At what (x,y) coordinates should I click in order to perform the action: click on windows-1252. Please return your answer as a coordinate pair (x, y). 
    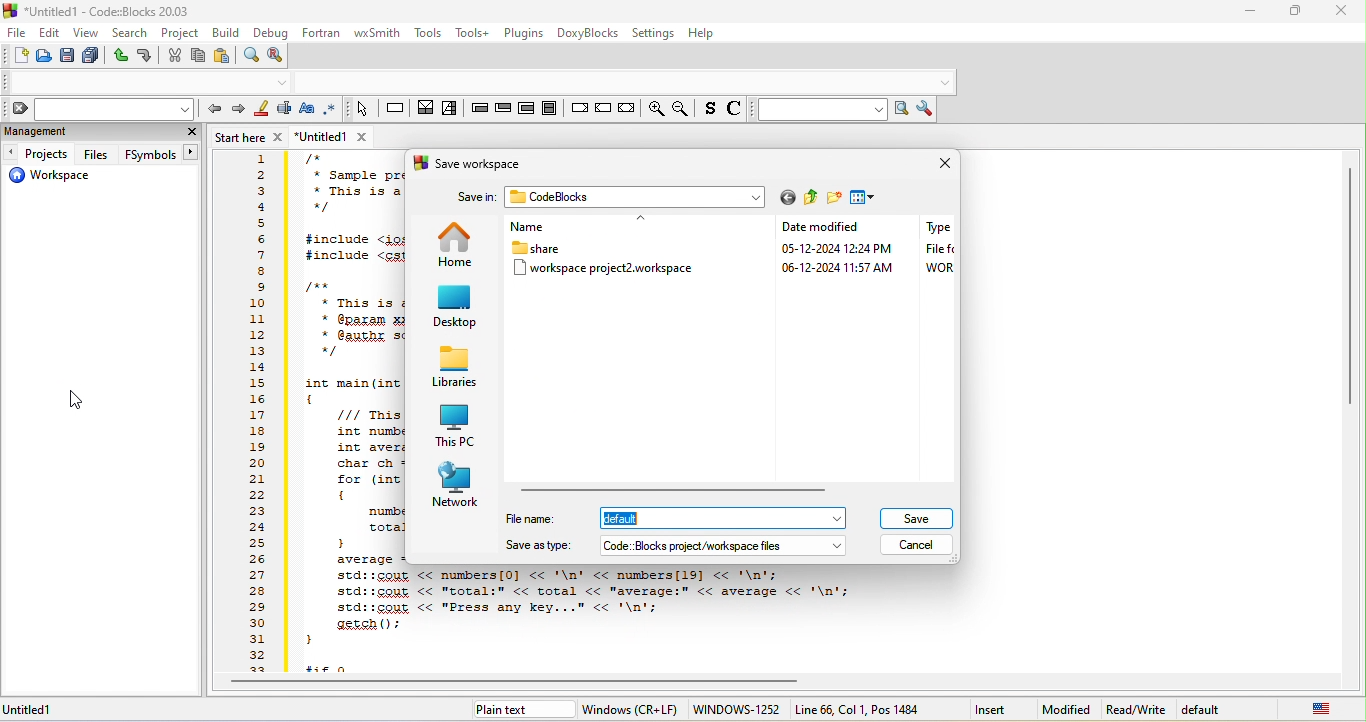
    Looking at the image, I should click on (735, 709).